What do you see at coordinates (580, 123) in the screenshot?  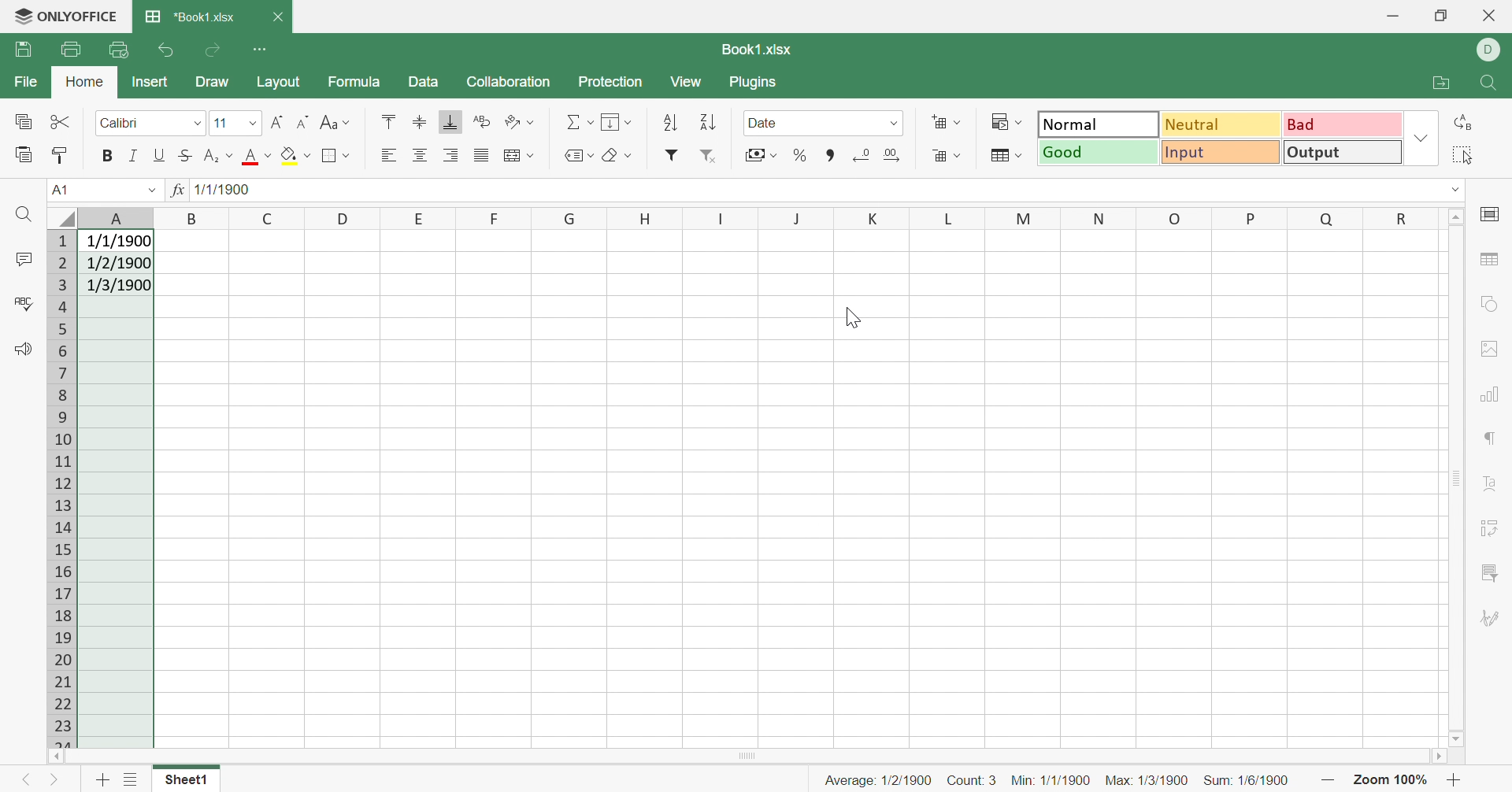 I see `Summation` at bounding box center [580, 123].